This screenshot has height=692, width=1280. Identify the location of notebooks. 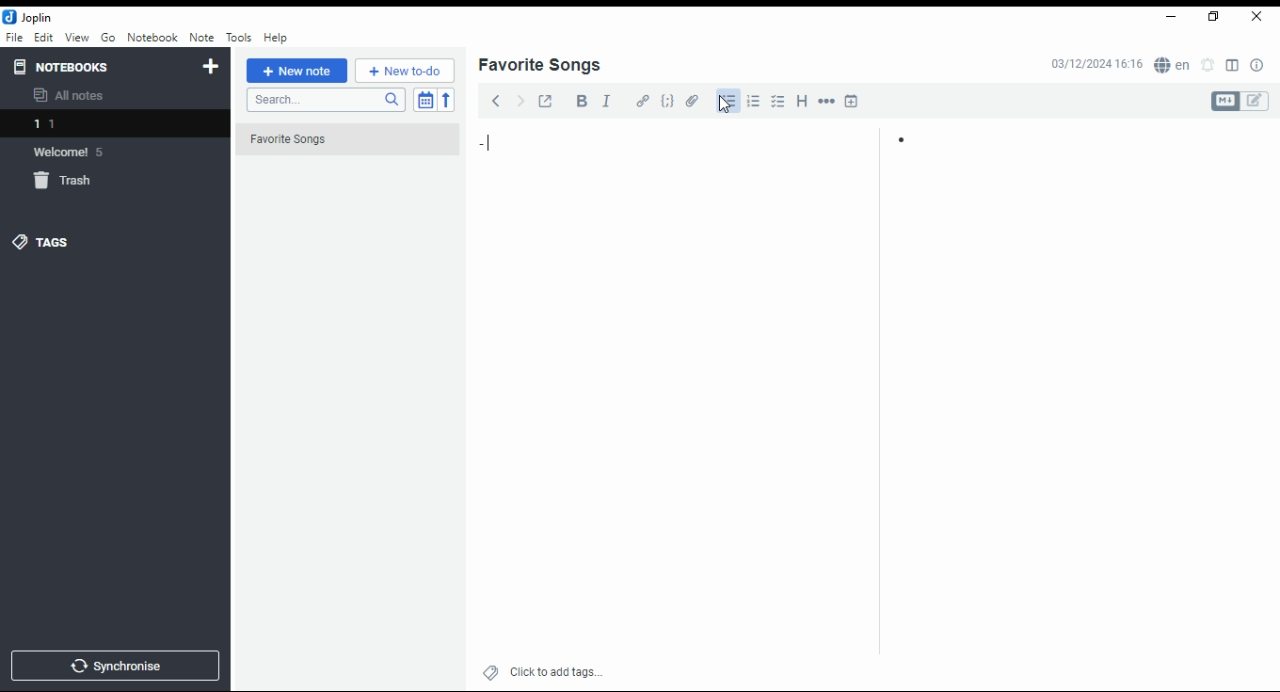
(97, 66).